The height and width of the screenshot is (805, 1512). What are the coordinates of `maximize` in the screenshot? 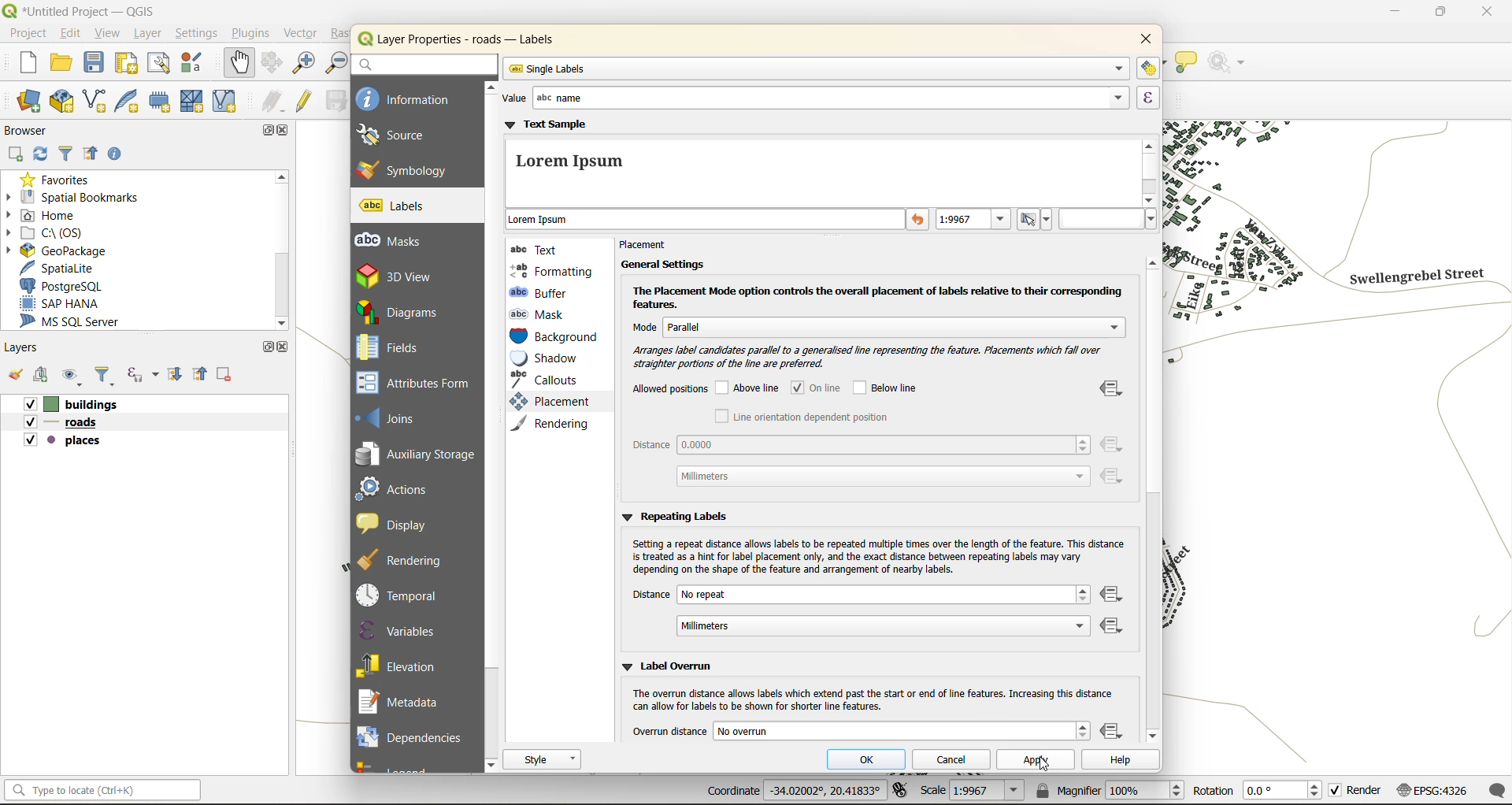 It's located at (265, 347).